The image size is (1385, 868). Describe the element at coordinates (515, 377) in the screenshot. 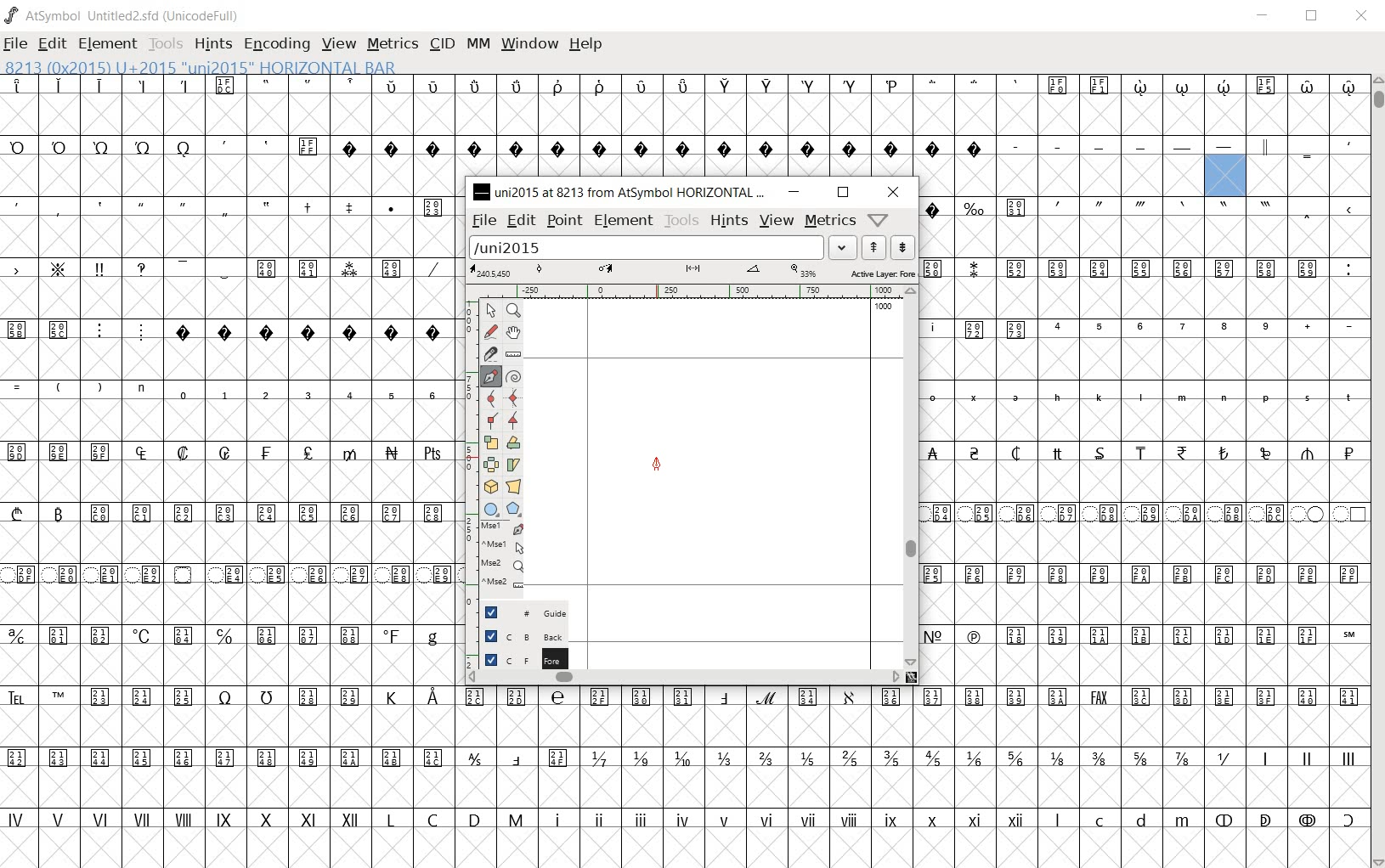

I see `change whether spiro is active or not` at that location.